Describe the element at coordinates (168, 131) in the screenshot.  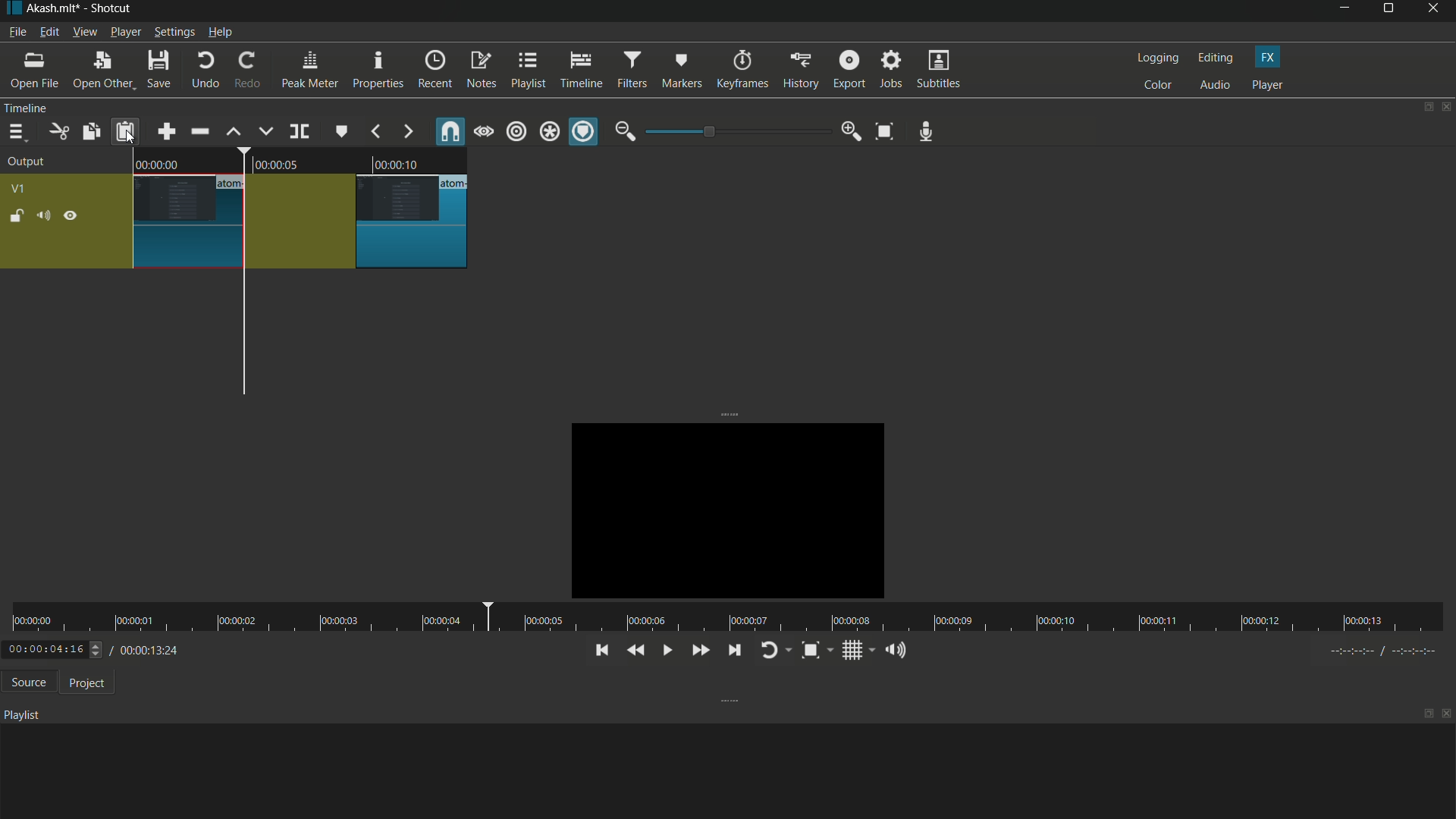
I see `append` at that location.